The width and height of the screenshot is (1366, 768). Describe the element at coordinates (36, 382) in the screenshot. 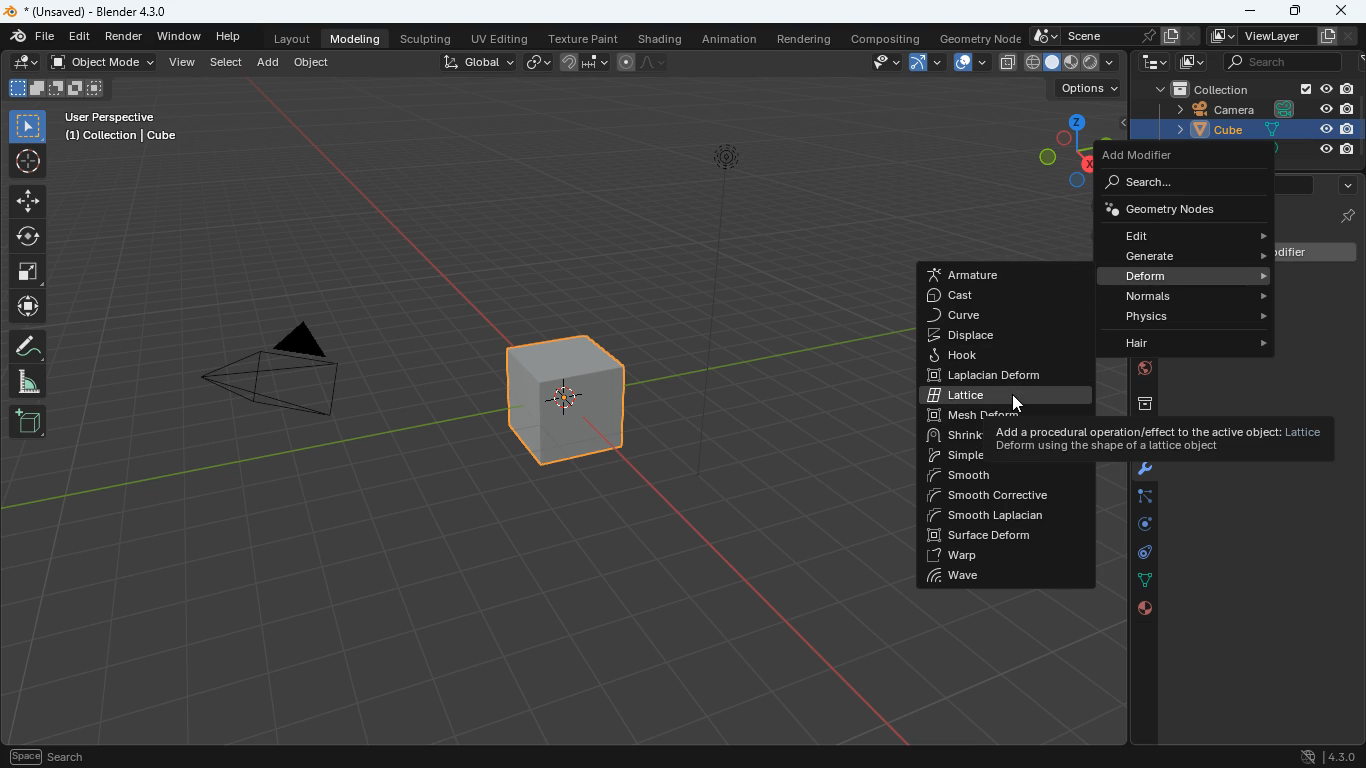

I see `angle` at that location.